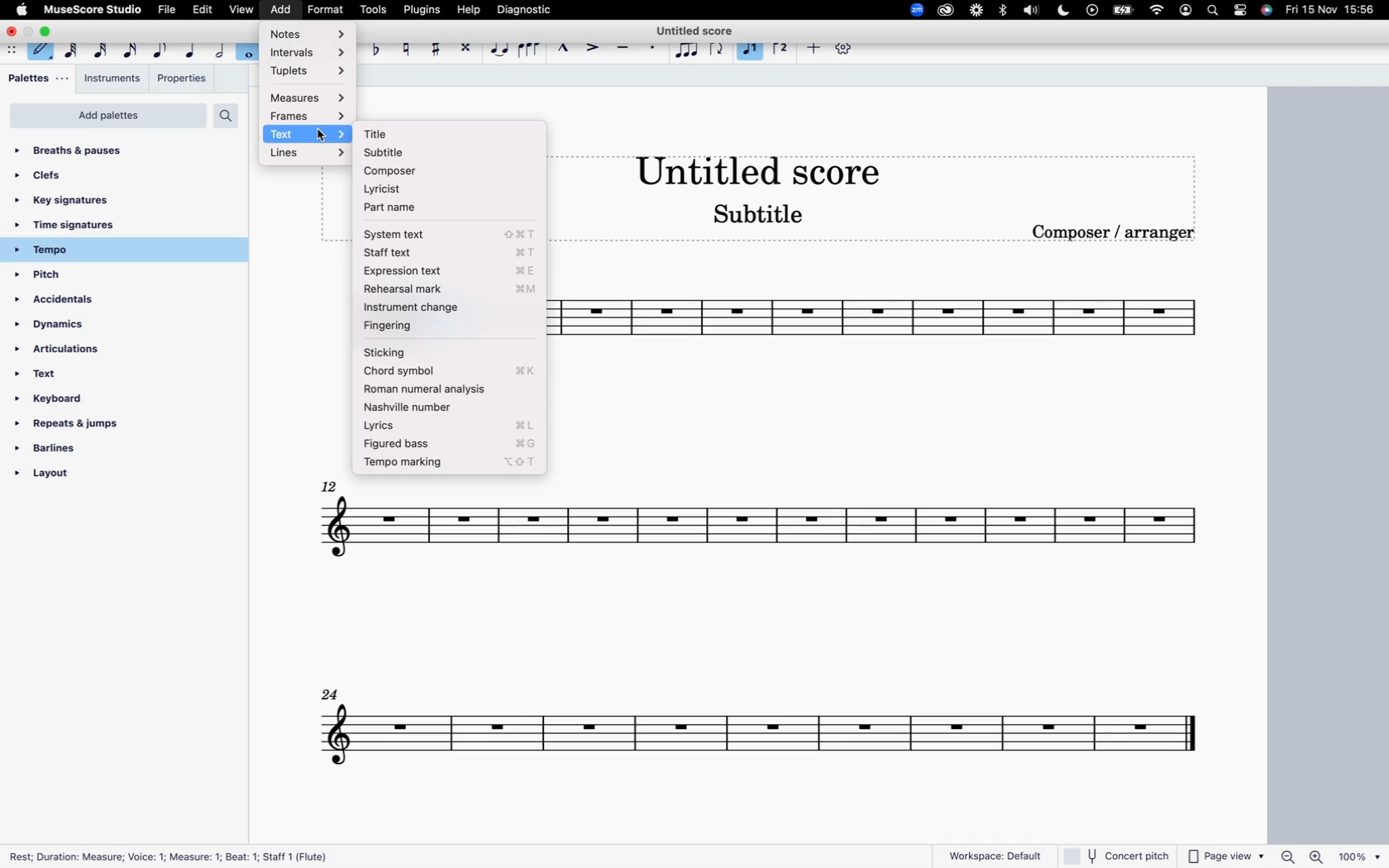  Describe the element at coordinates (376, 8) in the screenshot. I see `tools` at that location.